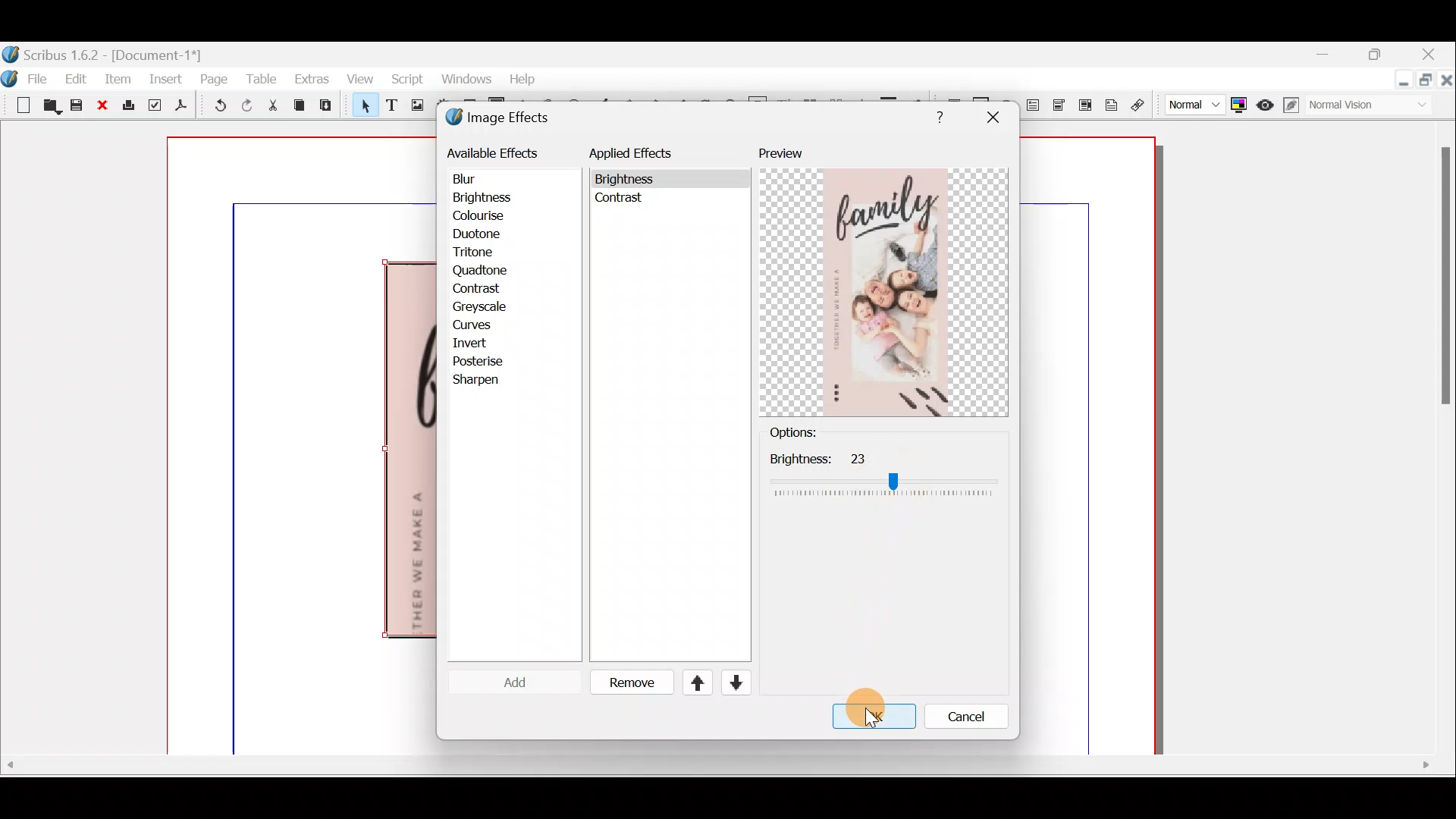 The image size is (1456, 819). Describe the element at coordinates (956, 720) in the screenshot. I see `Cancel` at that location.